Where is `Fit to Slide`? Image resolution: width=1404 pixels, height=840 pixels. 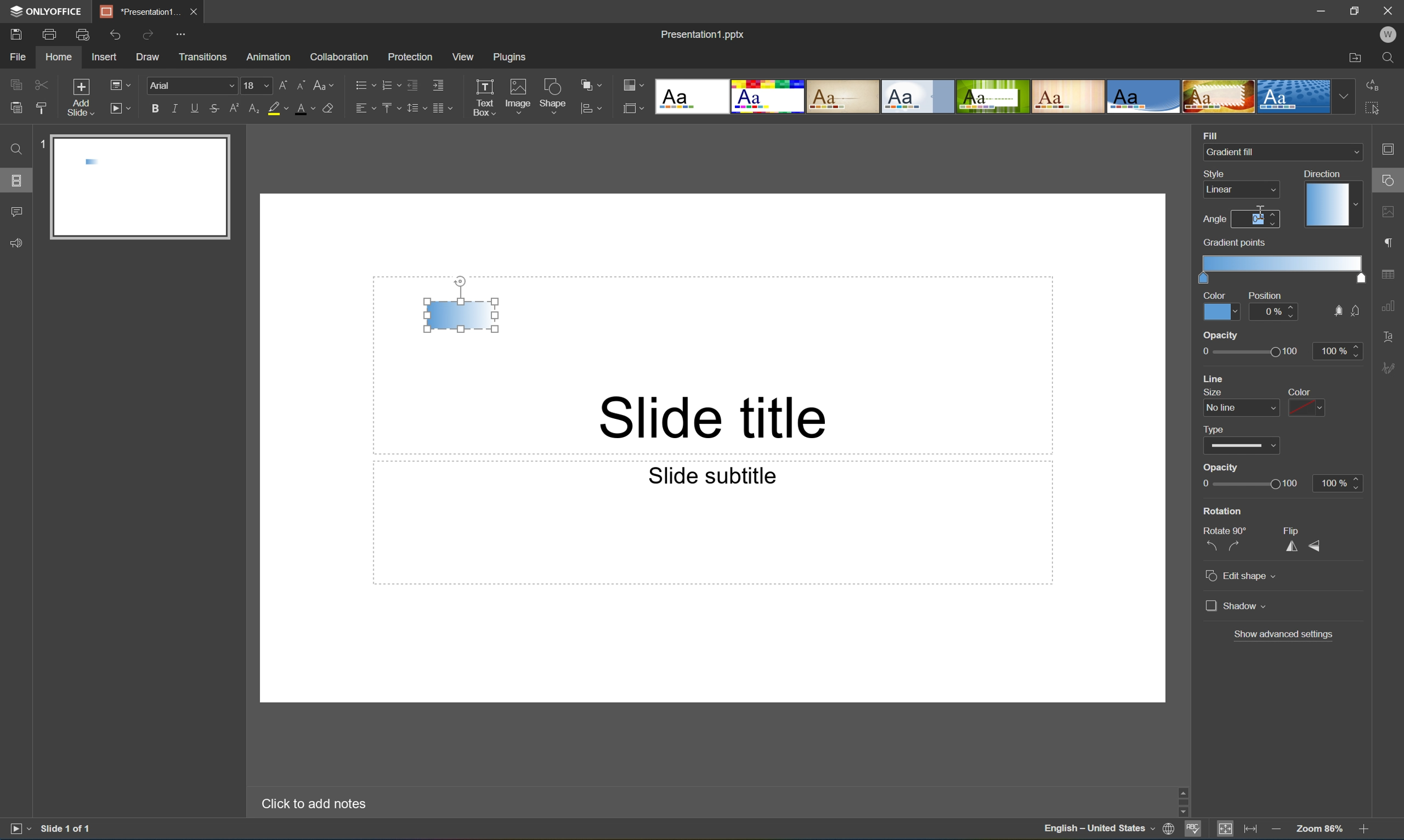 Fit to Slide is located at coordinates (1228, 829).